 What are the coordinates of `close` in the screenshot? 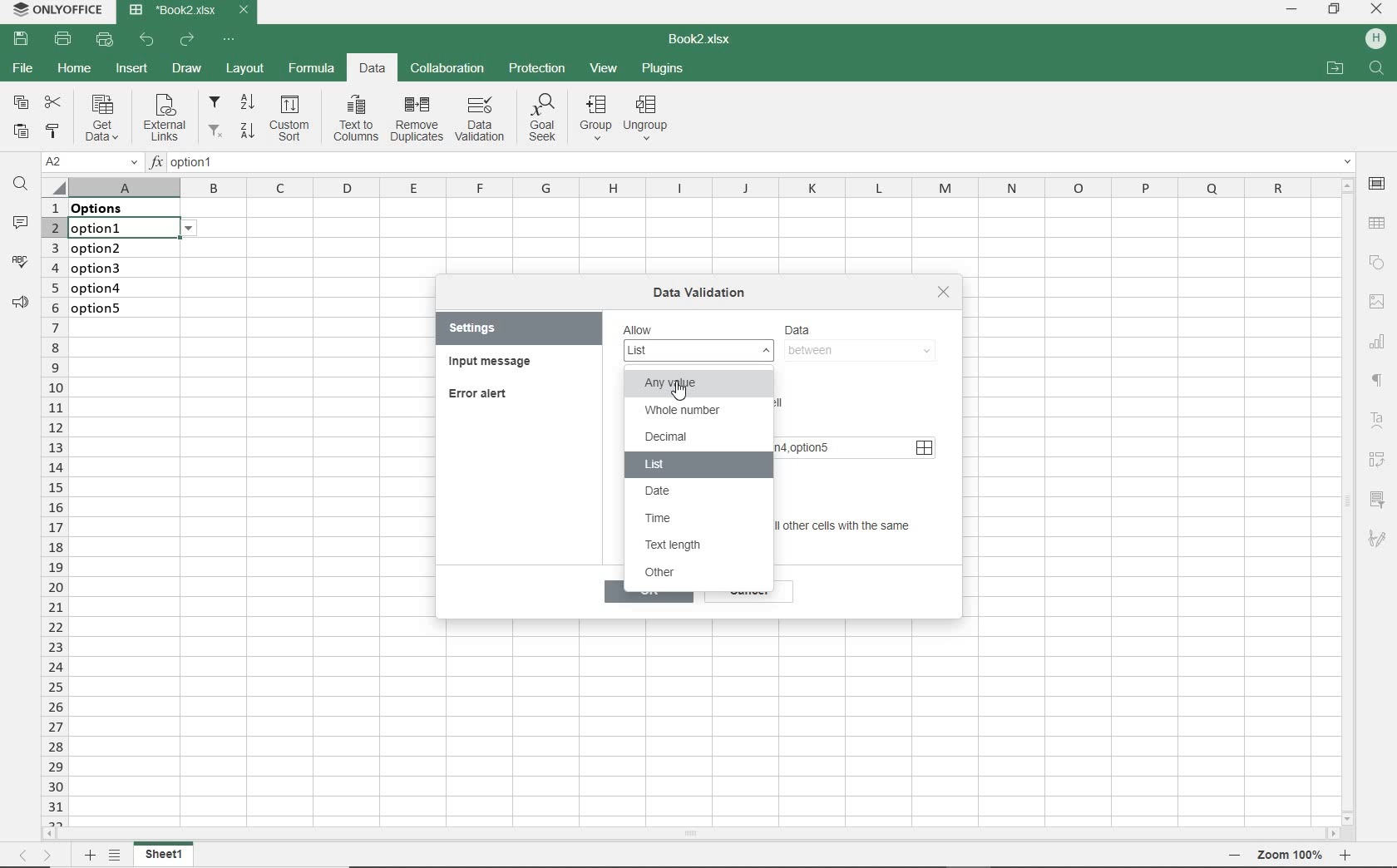 It's located at (944, 292).